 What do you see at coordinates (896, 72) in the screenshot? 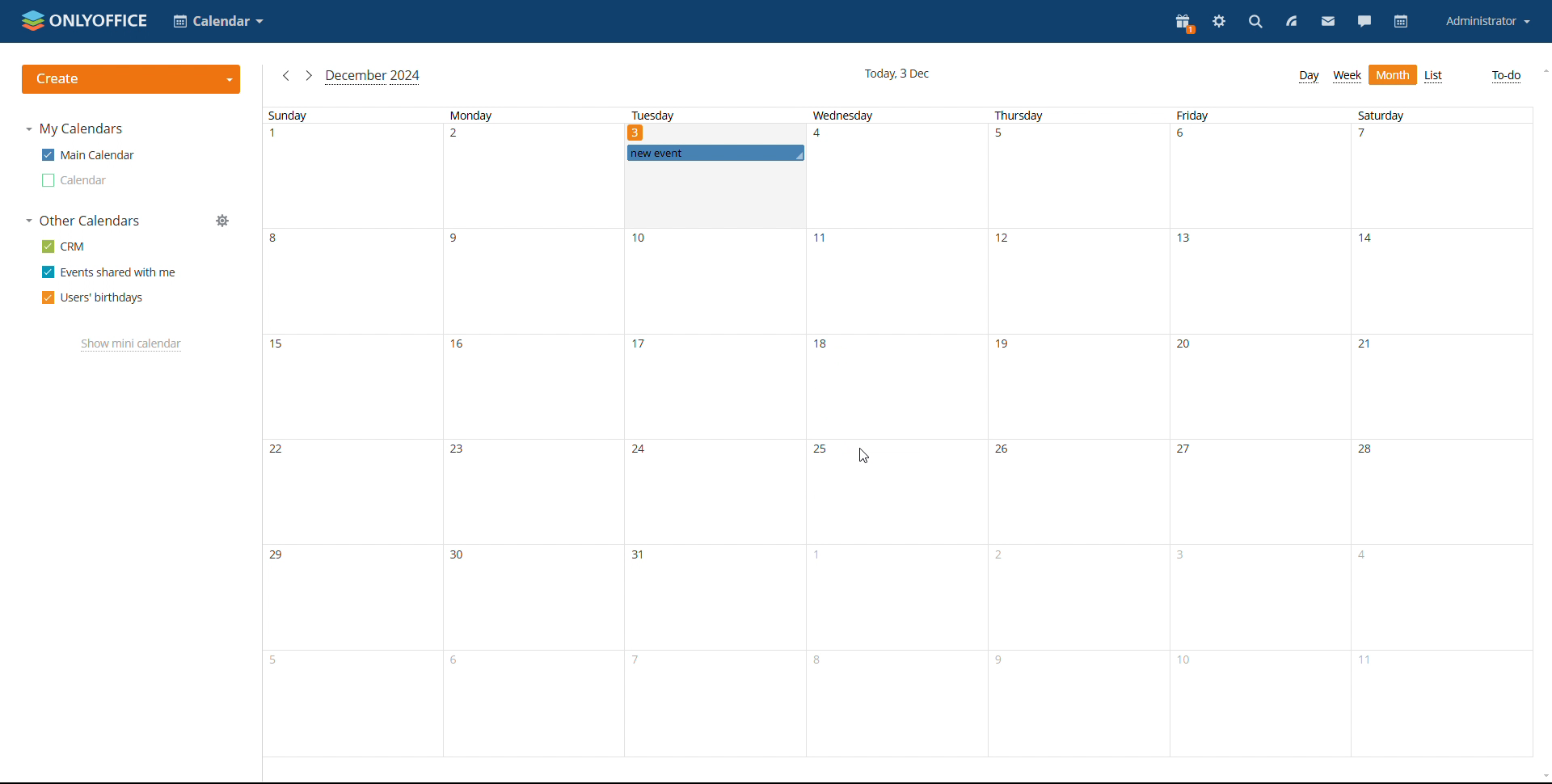
I see `current date` at bounding box center [896, 72].